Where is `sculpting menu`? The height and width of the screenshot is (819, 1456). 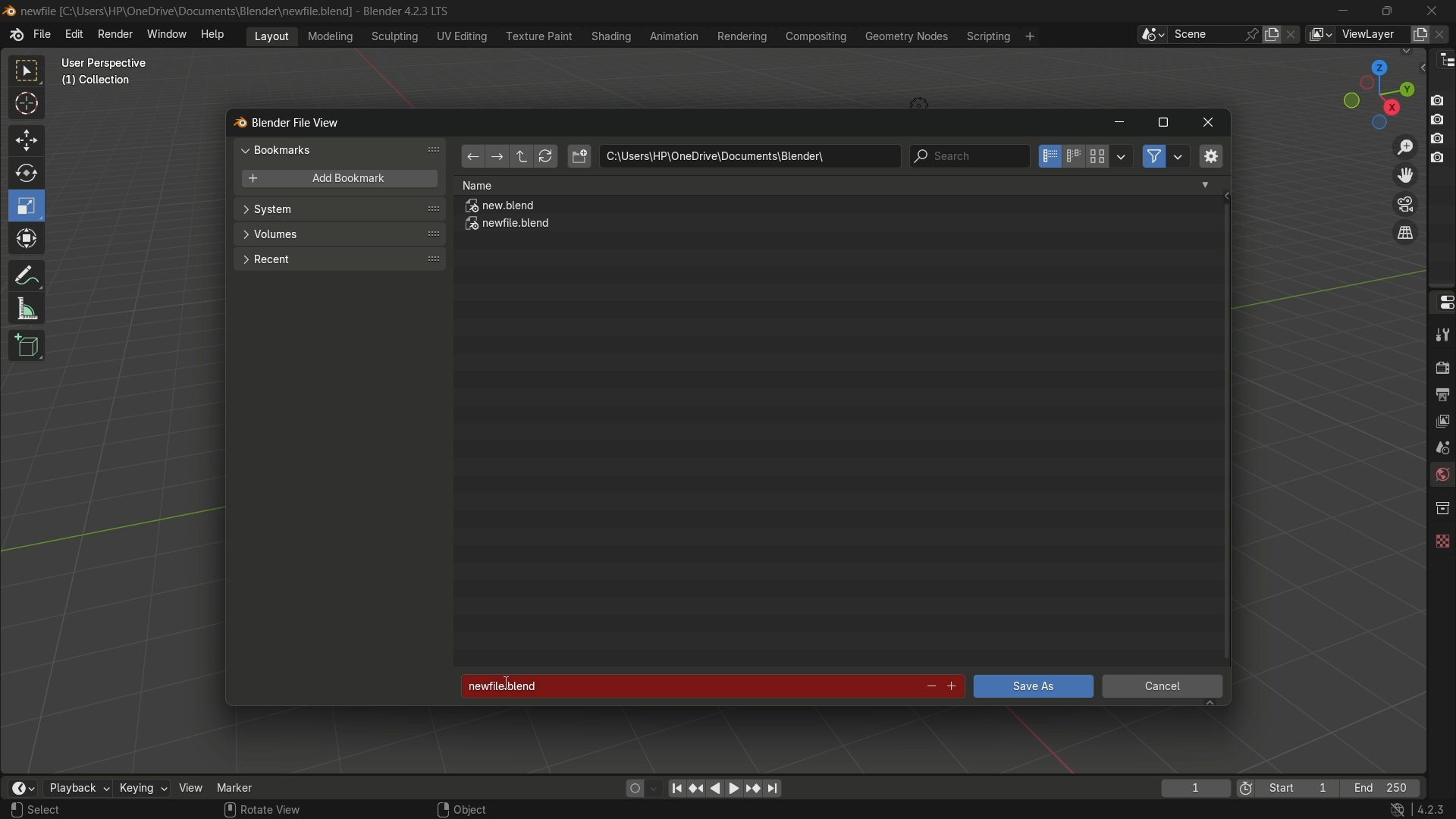 sculpting menu is located at coordinates (391, 36).